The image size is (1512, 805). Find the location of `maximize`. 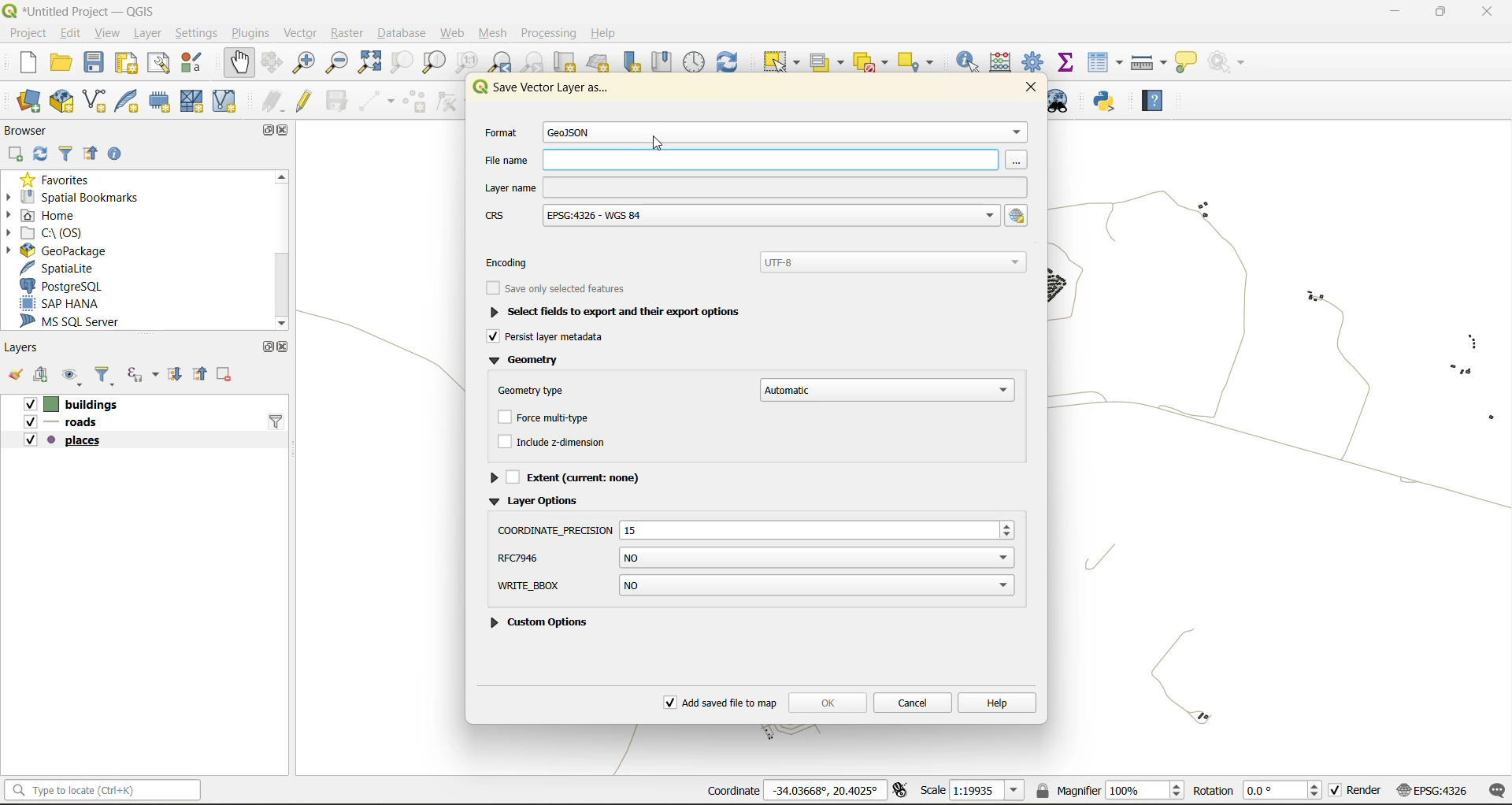

maximize is located at coordinates (265, 347).